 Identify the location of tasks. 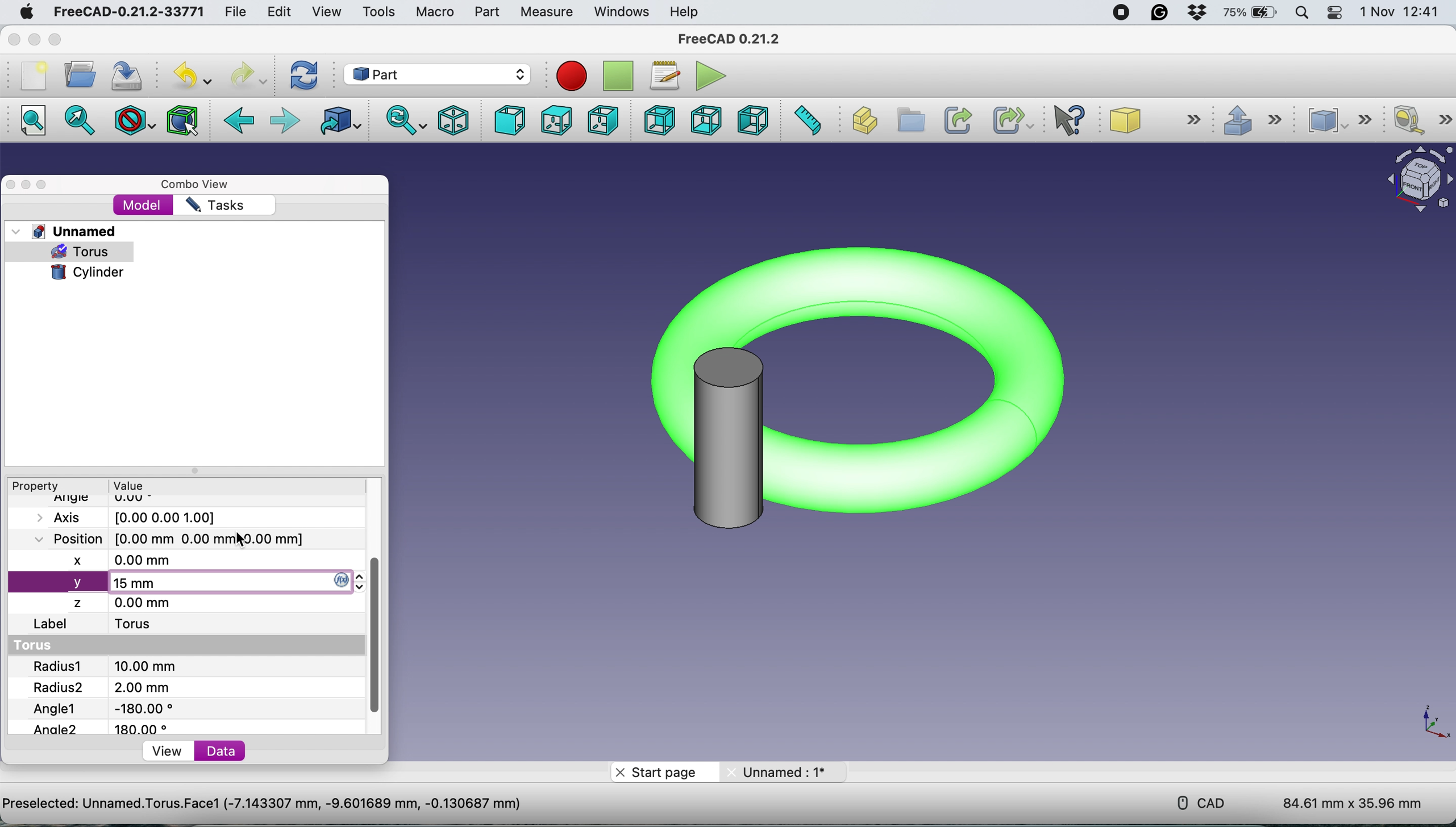
(215, 206).